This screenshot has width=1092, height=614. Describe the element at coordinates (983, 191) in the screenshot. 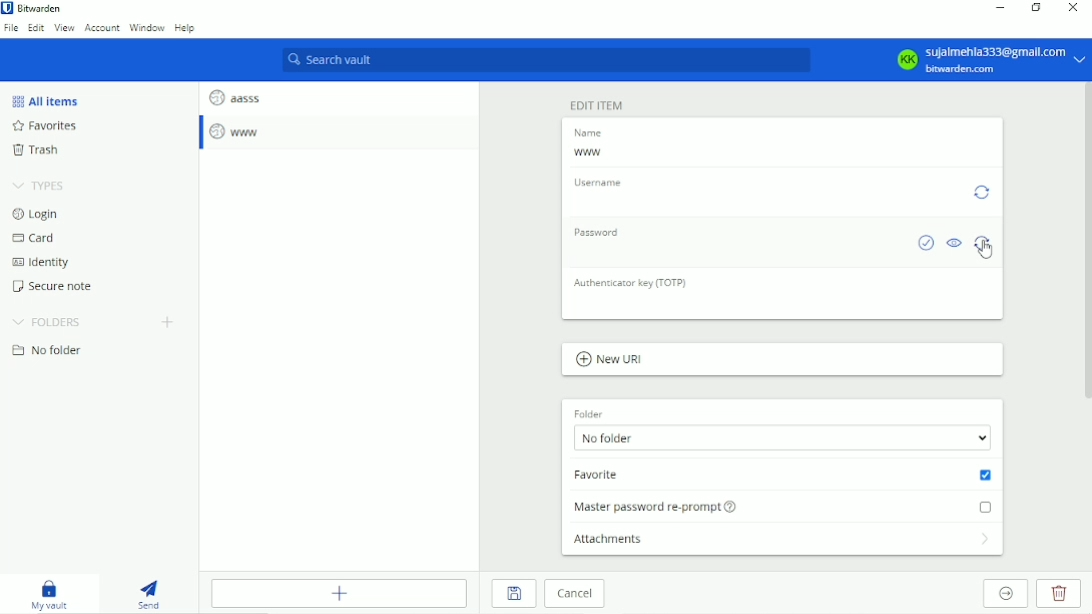

I see `Generate username` at that location.